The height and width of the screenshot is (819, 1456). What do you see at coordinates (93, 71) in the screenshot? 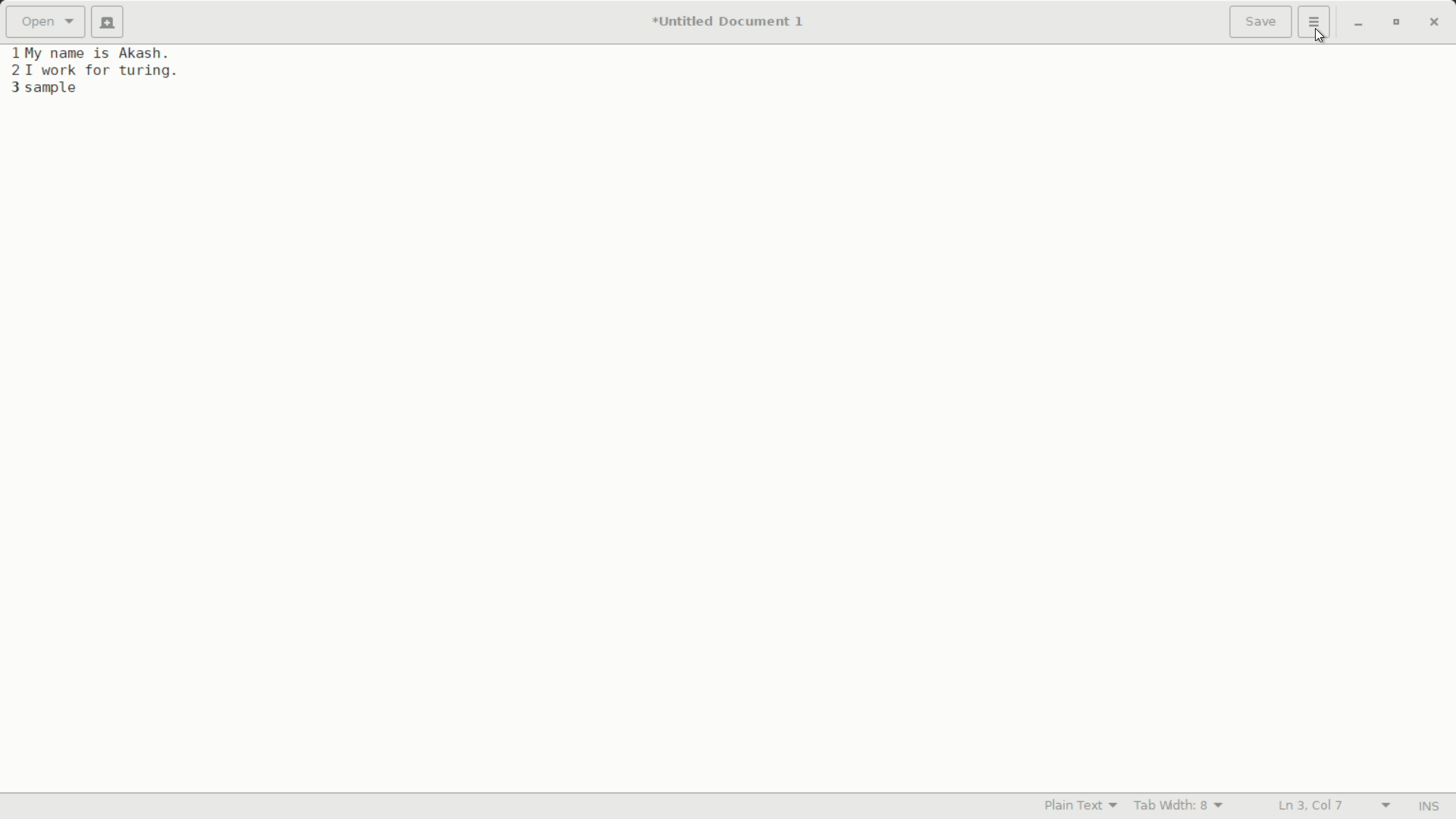
I see `21 work for turing.` at bounding box center [93, 71].